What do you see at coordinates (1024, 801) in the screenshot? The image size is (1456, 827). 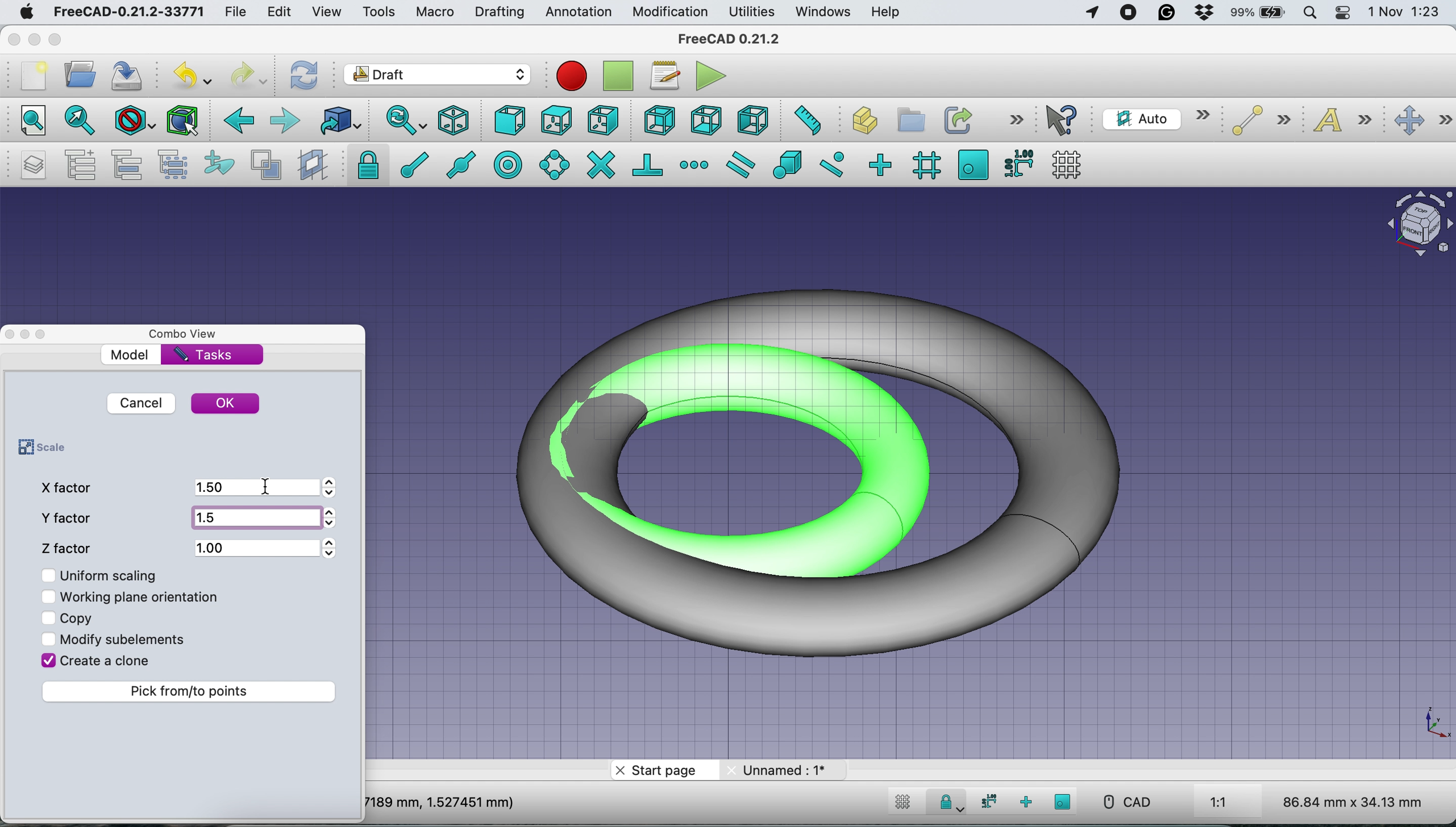 I see `snap ortho` at bounding box center [1024, 801].